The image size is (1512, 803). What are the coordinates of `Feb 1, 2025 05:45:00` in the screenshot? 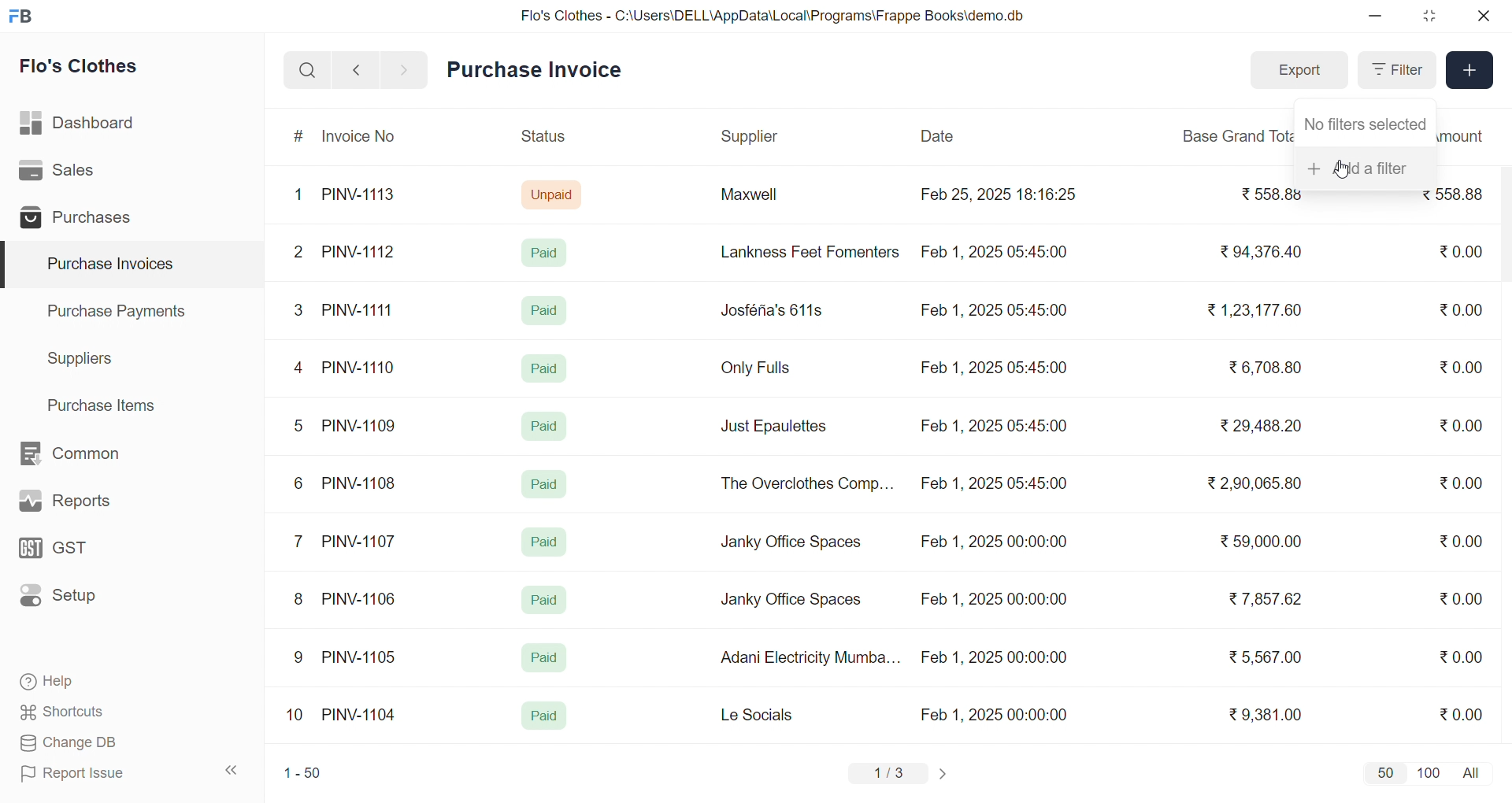 It's located at (998, 250).